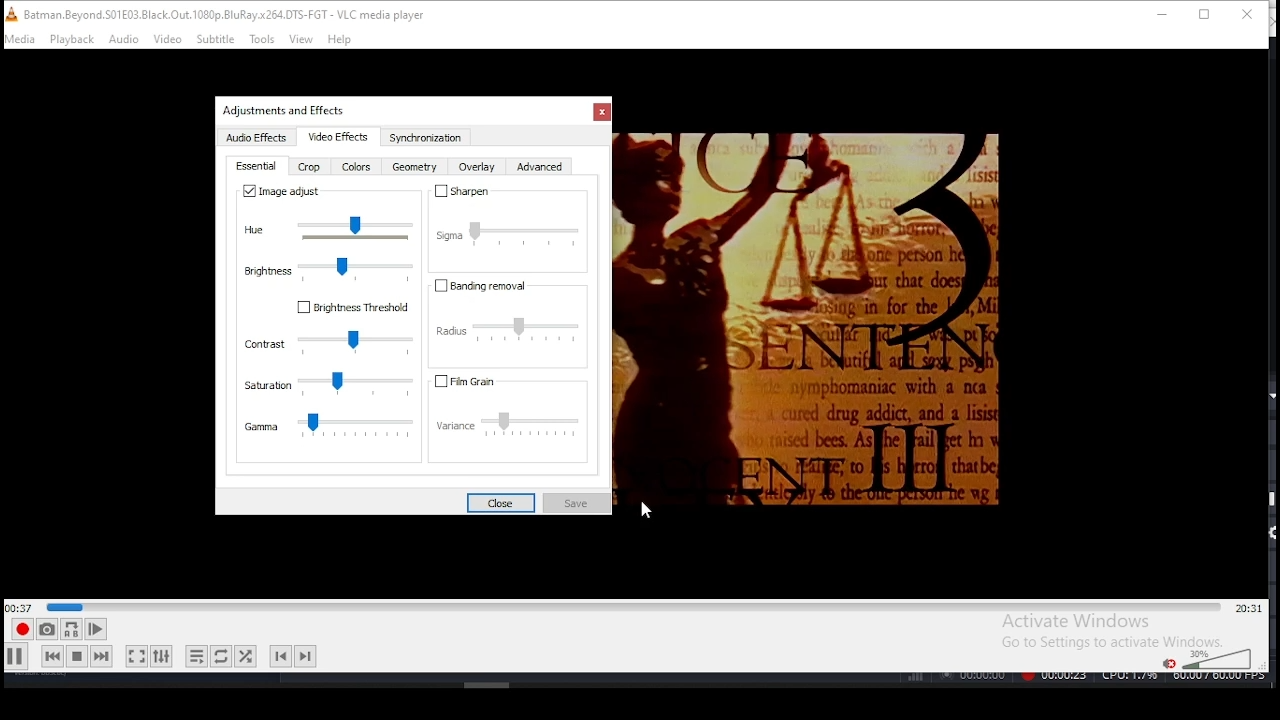  What do you see at coordinates (513, 329) in the screenshot?
I see `radius settings slider` at bounding box center [513, 329].